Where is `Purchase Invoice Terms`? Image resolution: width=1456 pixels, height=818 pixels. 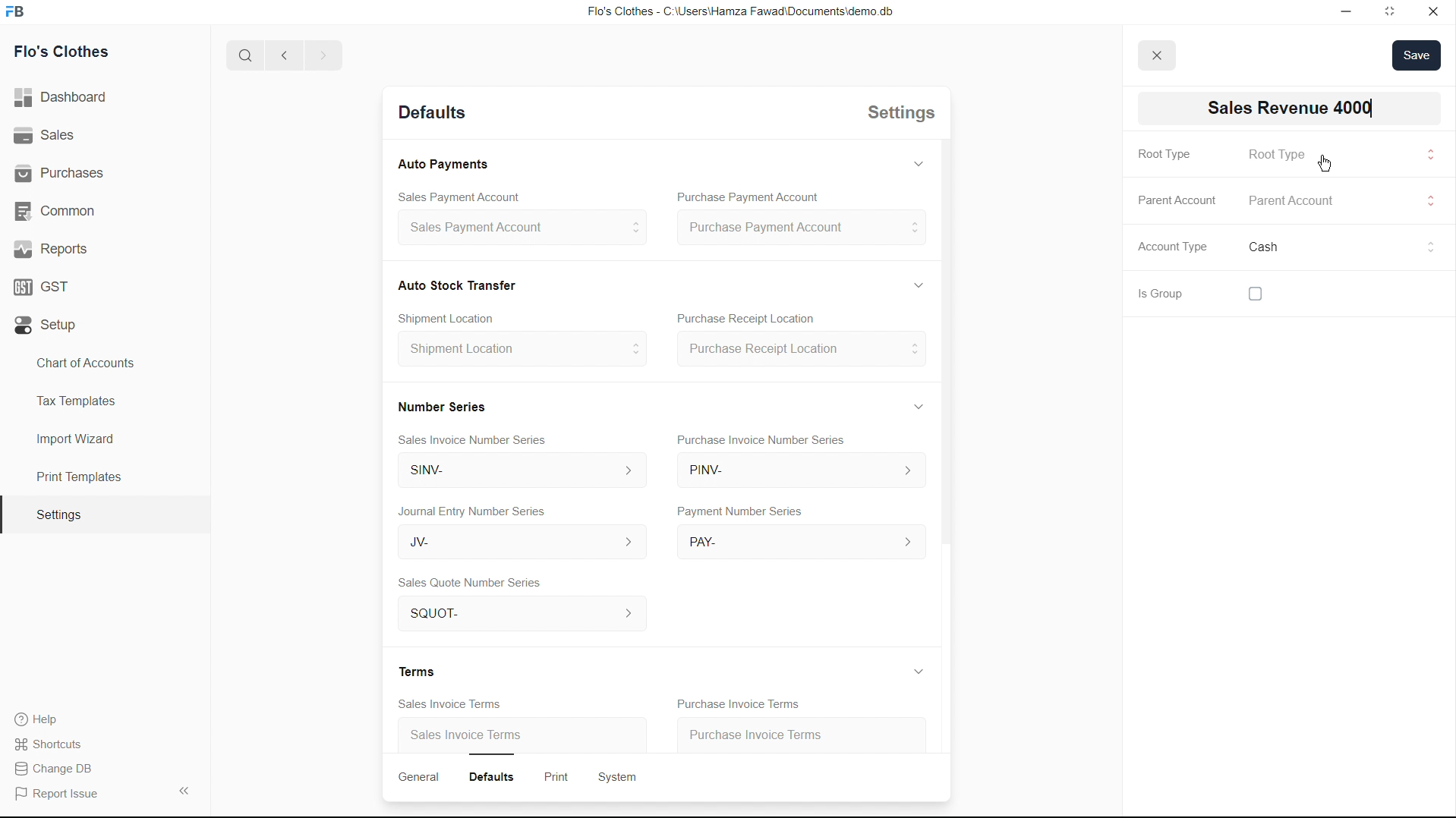
Purchase Invoice Terms is located at coordinates (735, 702).